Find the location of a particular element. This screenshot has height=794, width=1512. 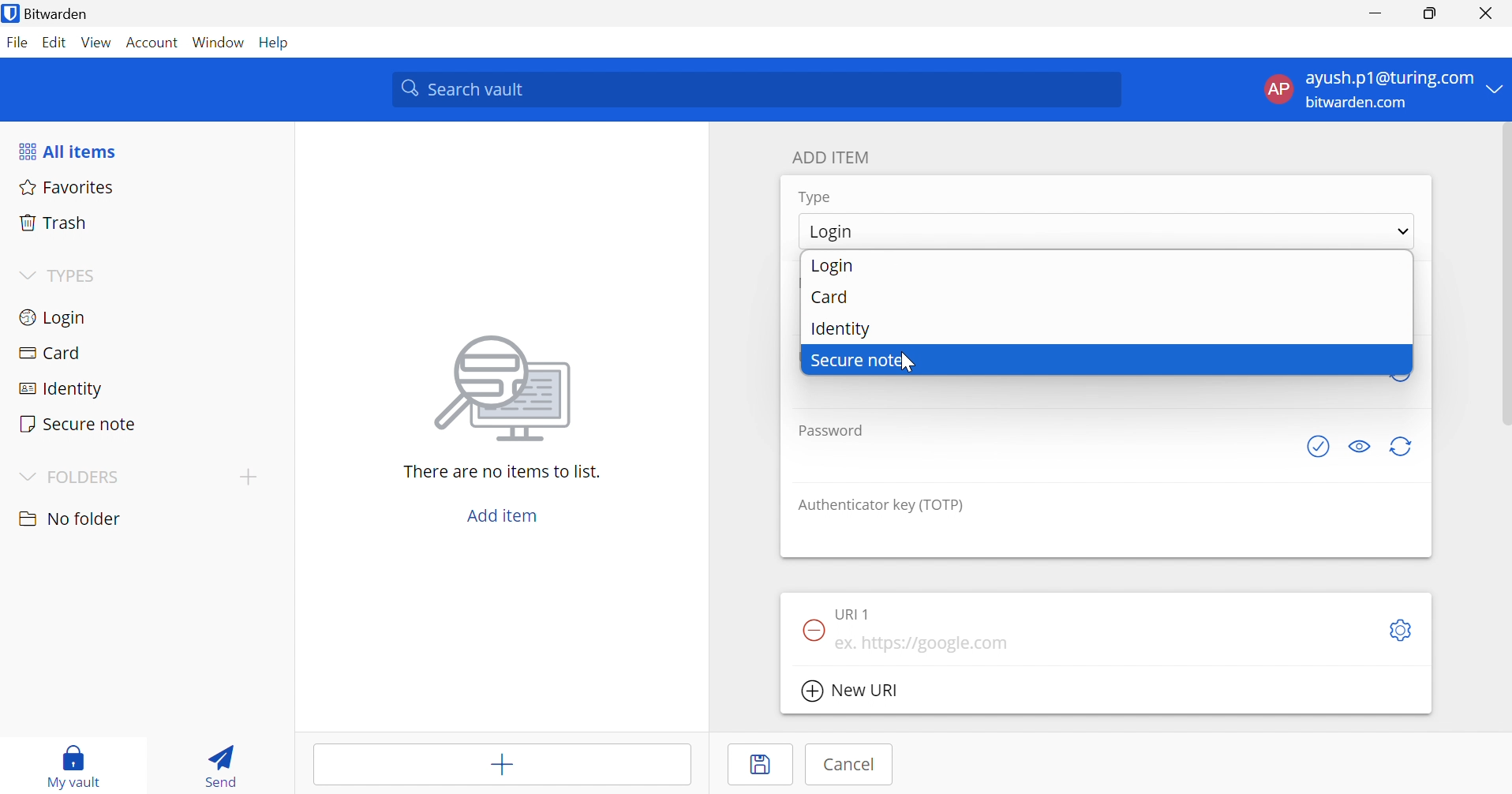

Cursor is located at coordinates (904, 361).